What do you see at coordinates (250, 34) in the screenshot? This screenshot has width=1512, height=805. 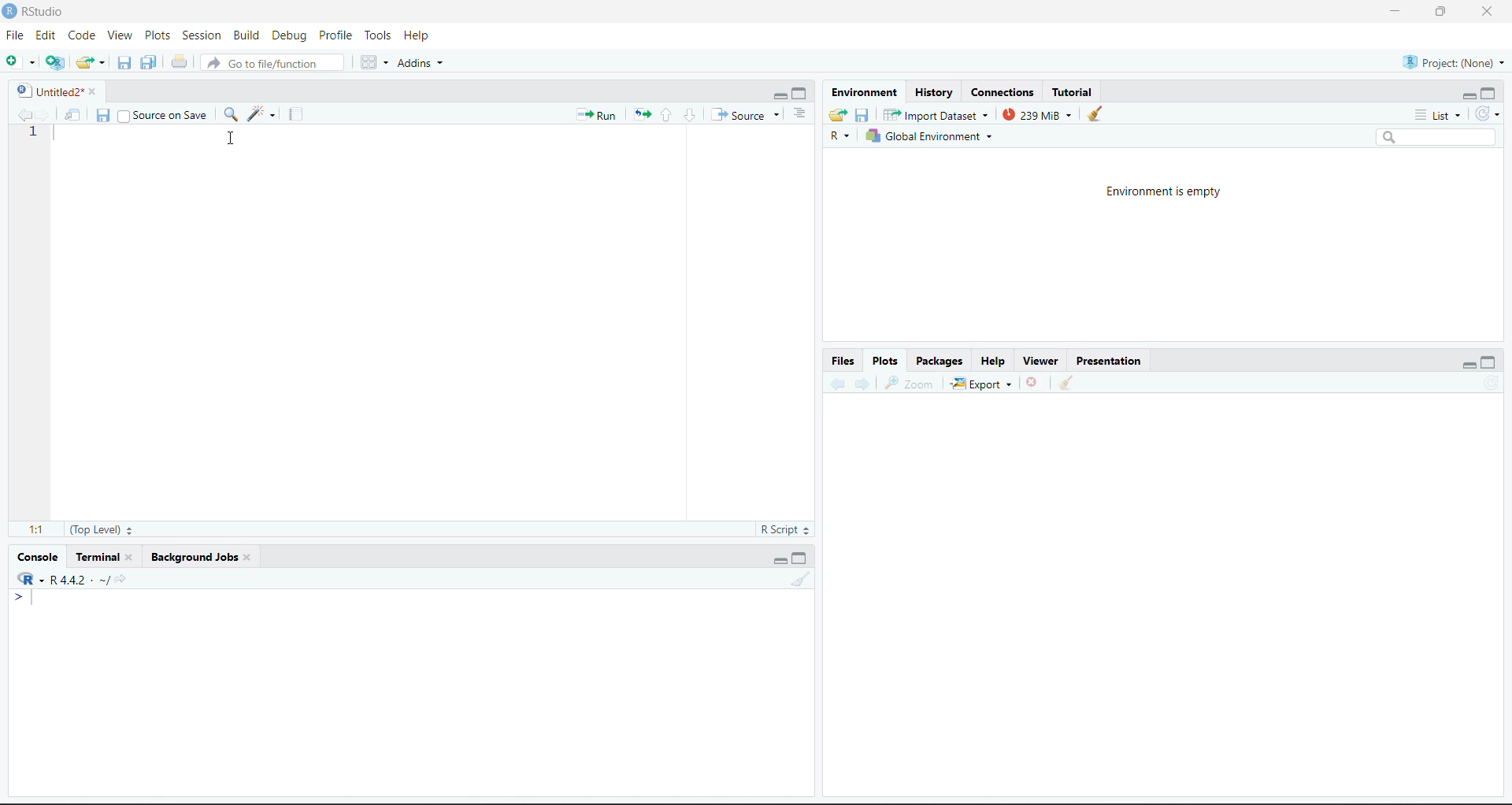 I see `BUild` at bounding box center [250, 34].